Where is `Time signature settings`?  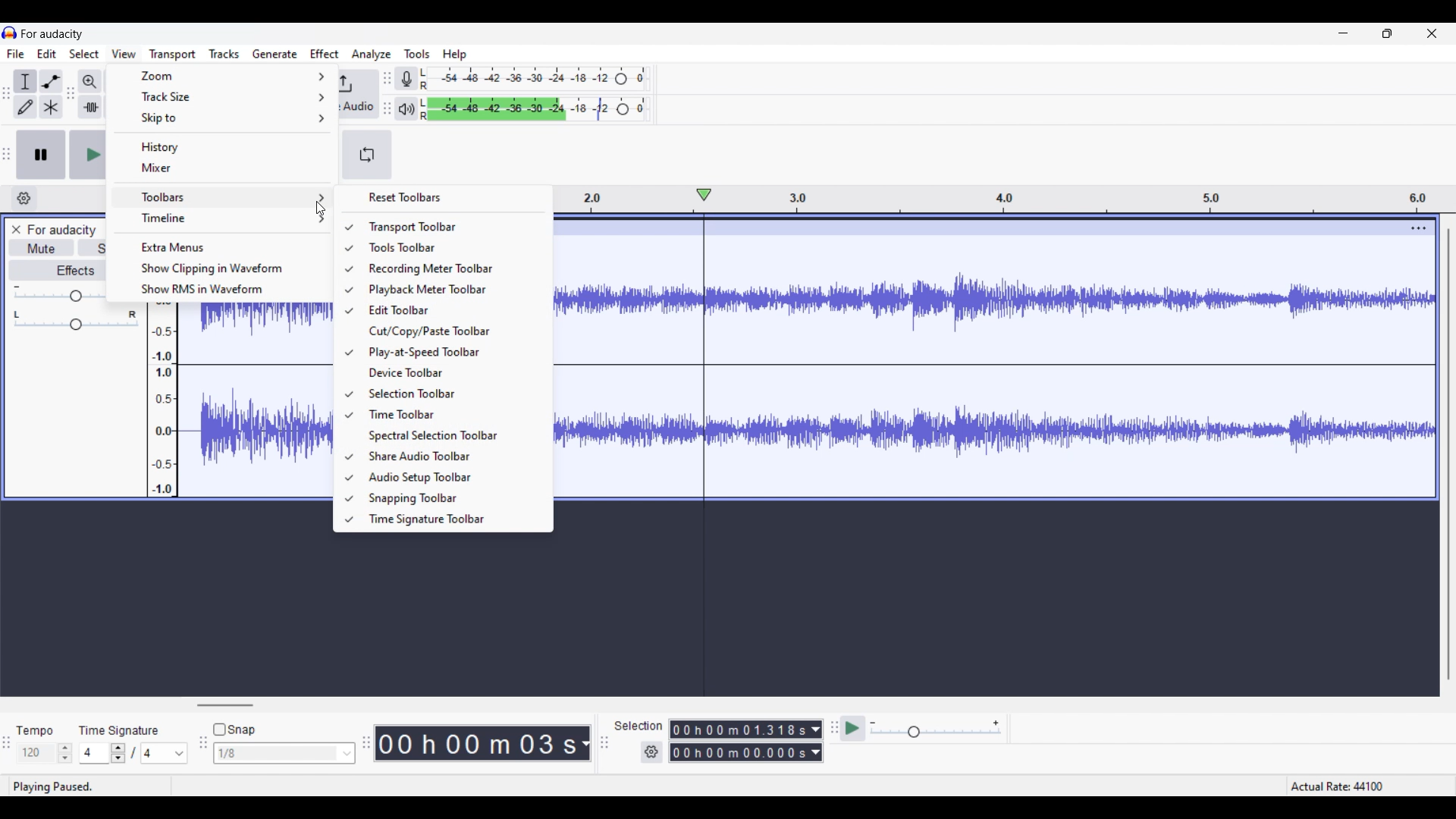
Time signature settings is located at coordinates (133, 752).